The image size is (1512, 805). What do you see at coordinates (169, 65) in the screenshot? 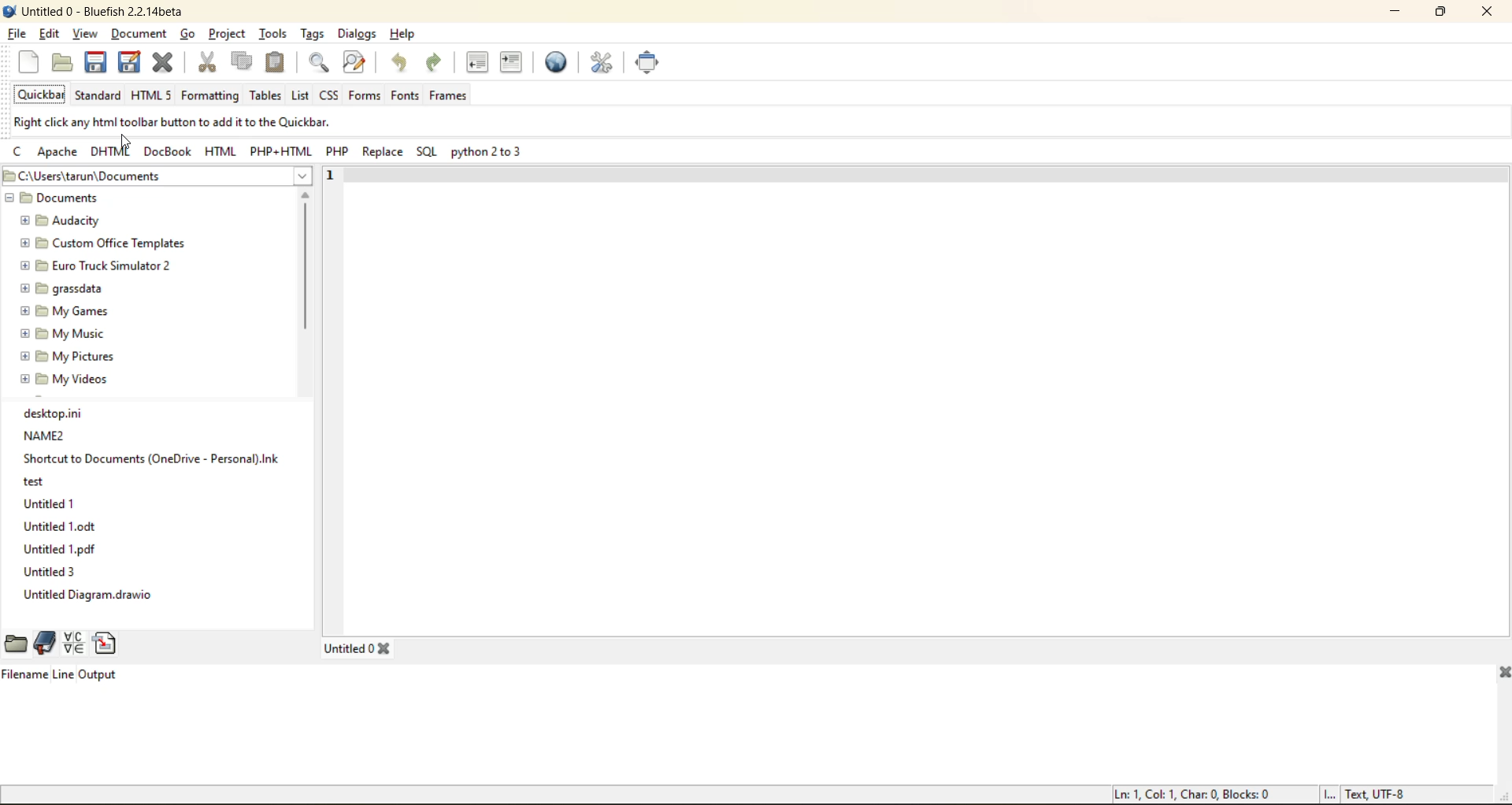
I see `close` at bounding box center [169, 65].